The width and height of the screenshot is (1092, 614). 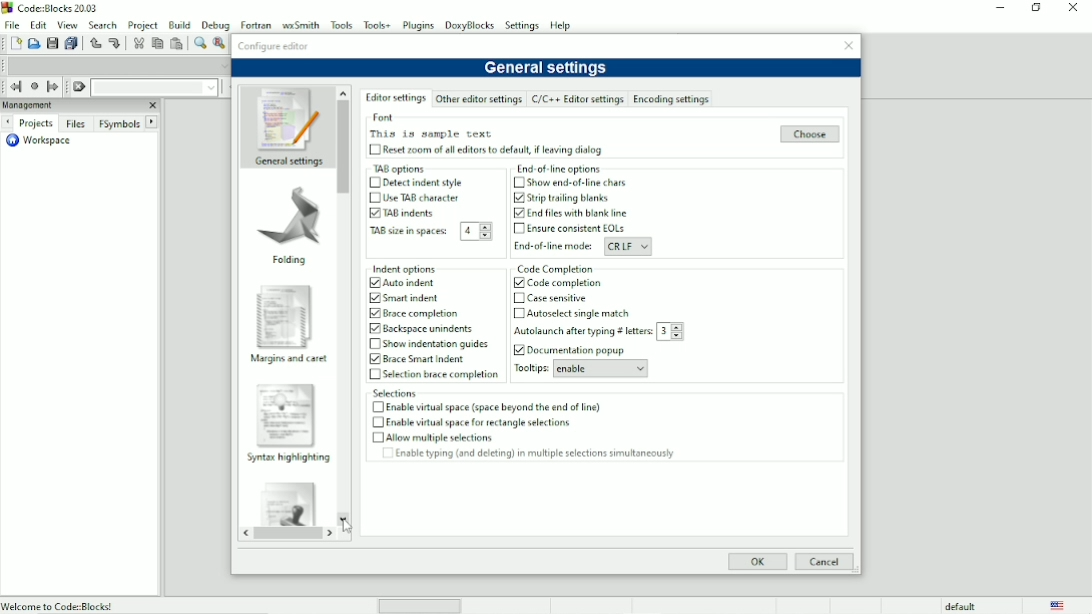 I want to click on Undo, so click(x=94, y=43).